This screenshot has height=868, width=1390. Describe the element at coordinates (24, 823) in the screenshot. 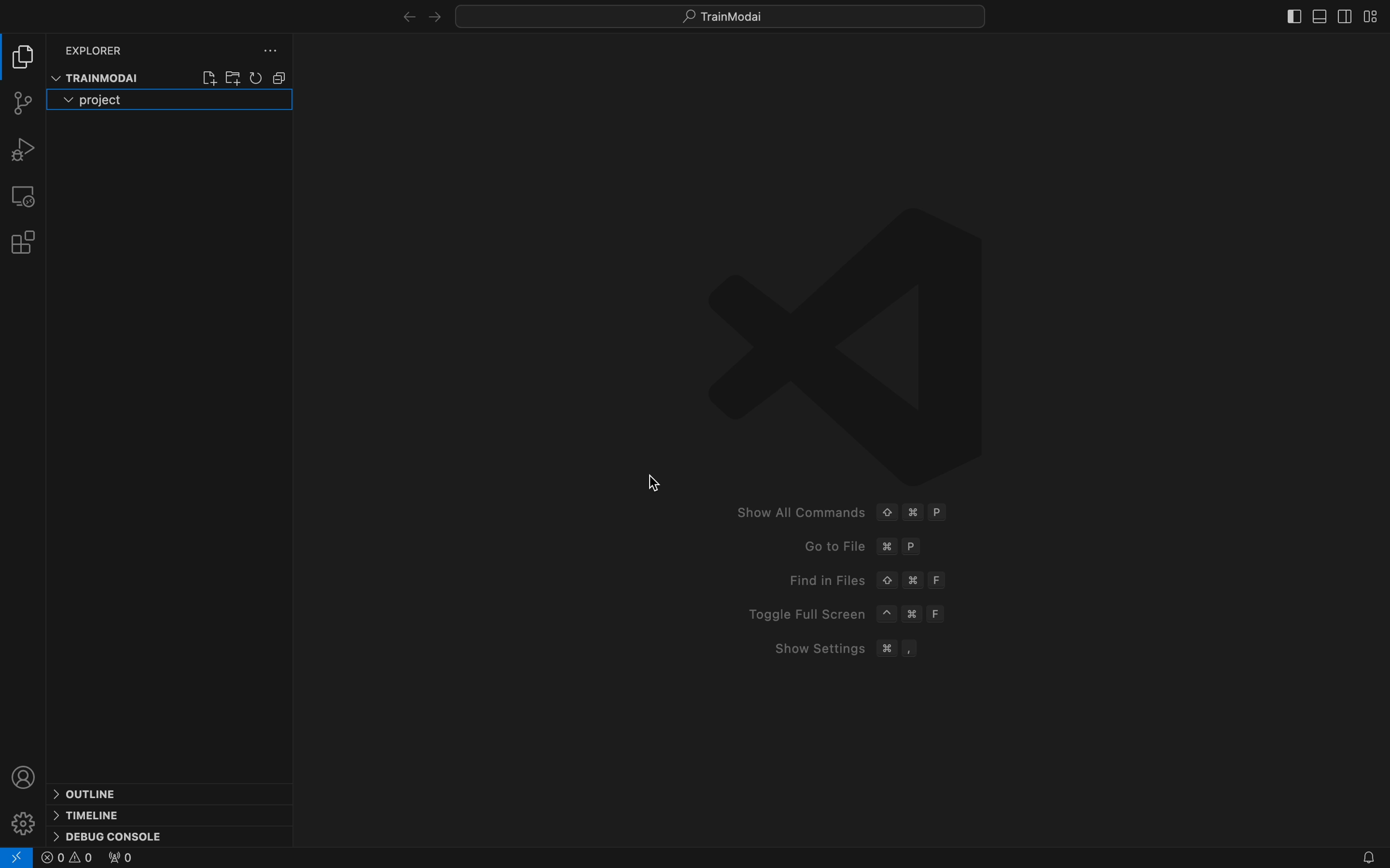

I see `settingd` at that location.